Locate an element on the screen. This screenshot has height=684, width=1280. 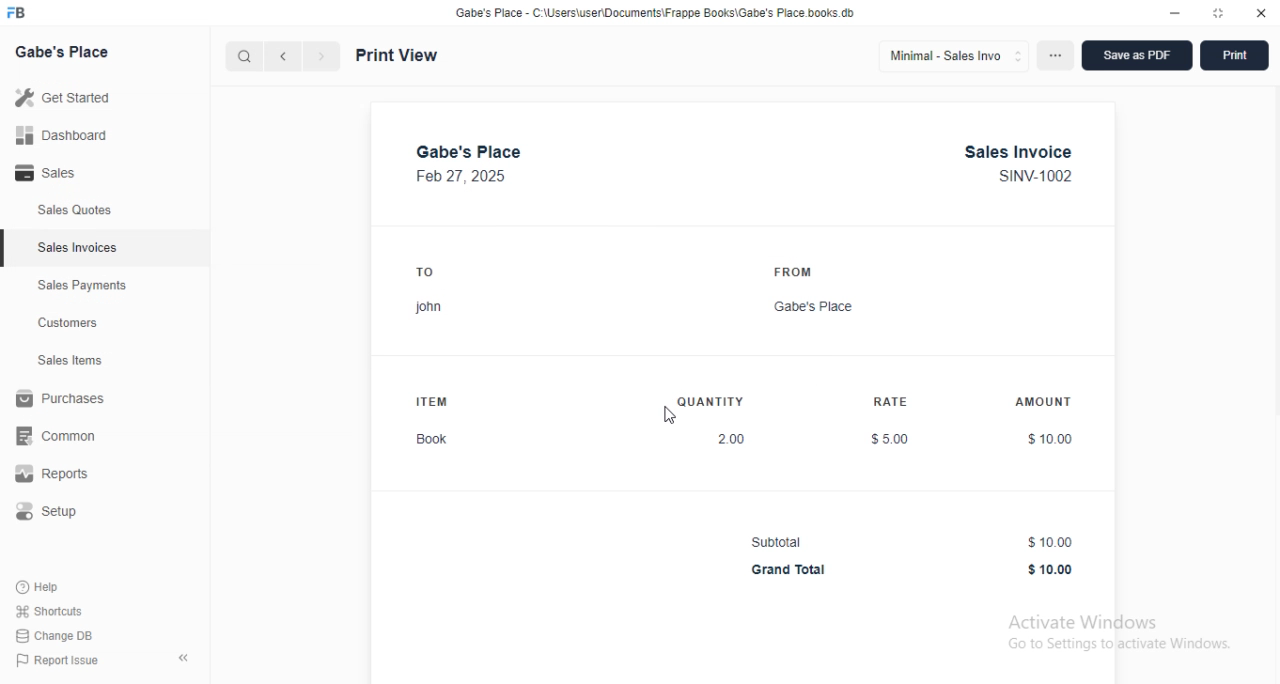
minimize is located at coordinates (1175, 13).